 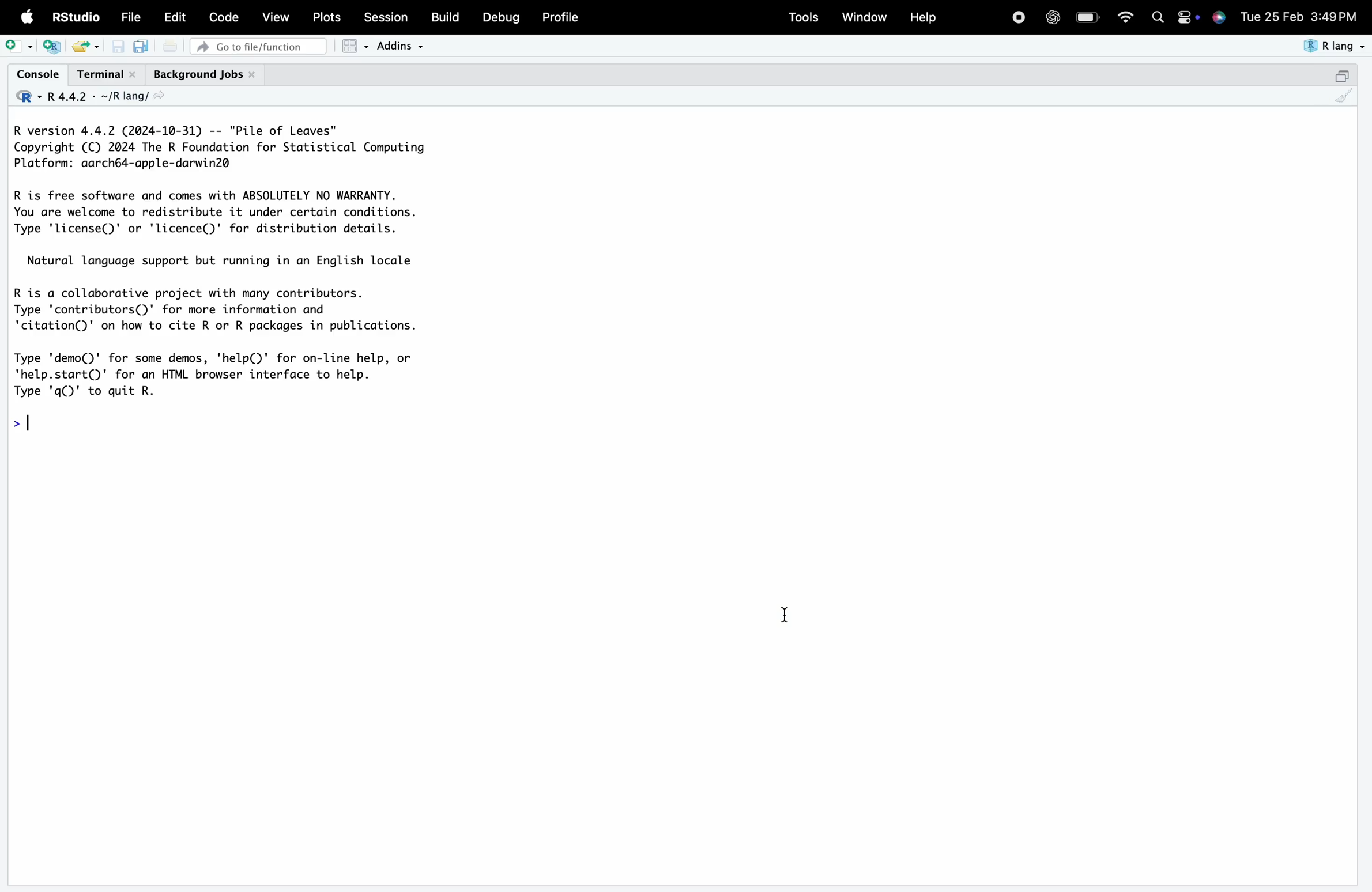 I want to click on Profile, so click(x=561, y=17).